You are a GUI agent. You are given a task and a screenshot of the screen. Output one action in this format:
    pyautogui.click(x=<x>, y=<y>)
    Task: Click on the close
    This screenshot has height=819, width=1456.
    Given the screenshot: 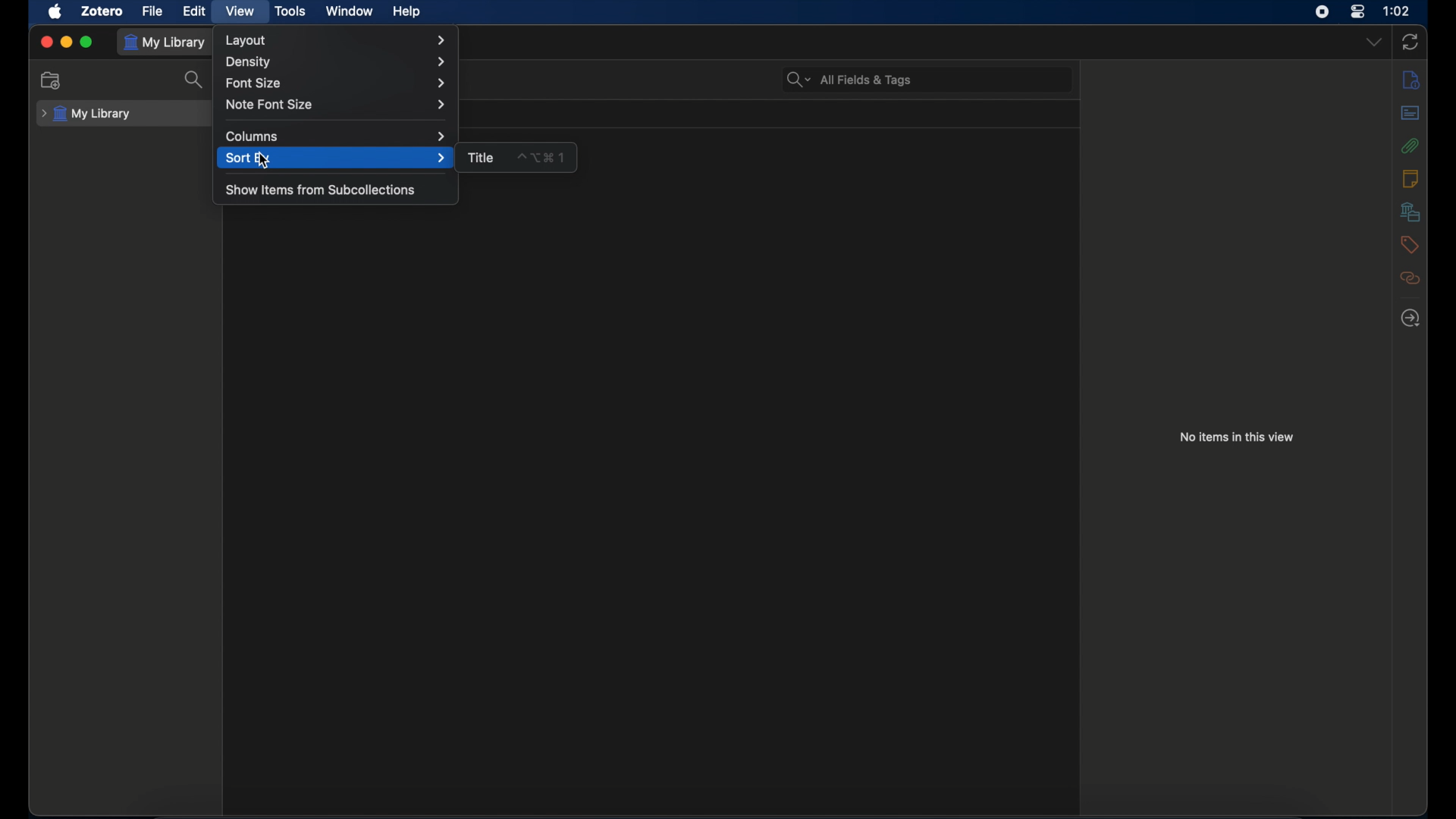 What is the action you would take?
    pyautogui.click(x=46, y=42)
    